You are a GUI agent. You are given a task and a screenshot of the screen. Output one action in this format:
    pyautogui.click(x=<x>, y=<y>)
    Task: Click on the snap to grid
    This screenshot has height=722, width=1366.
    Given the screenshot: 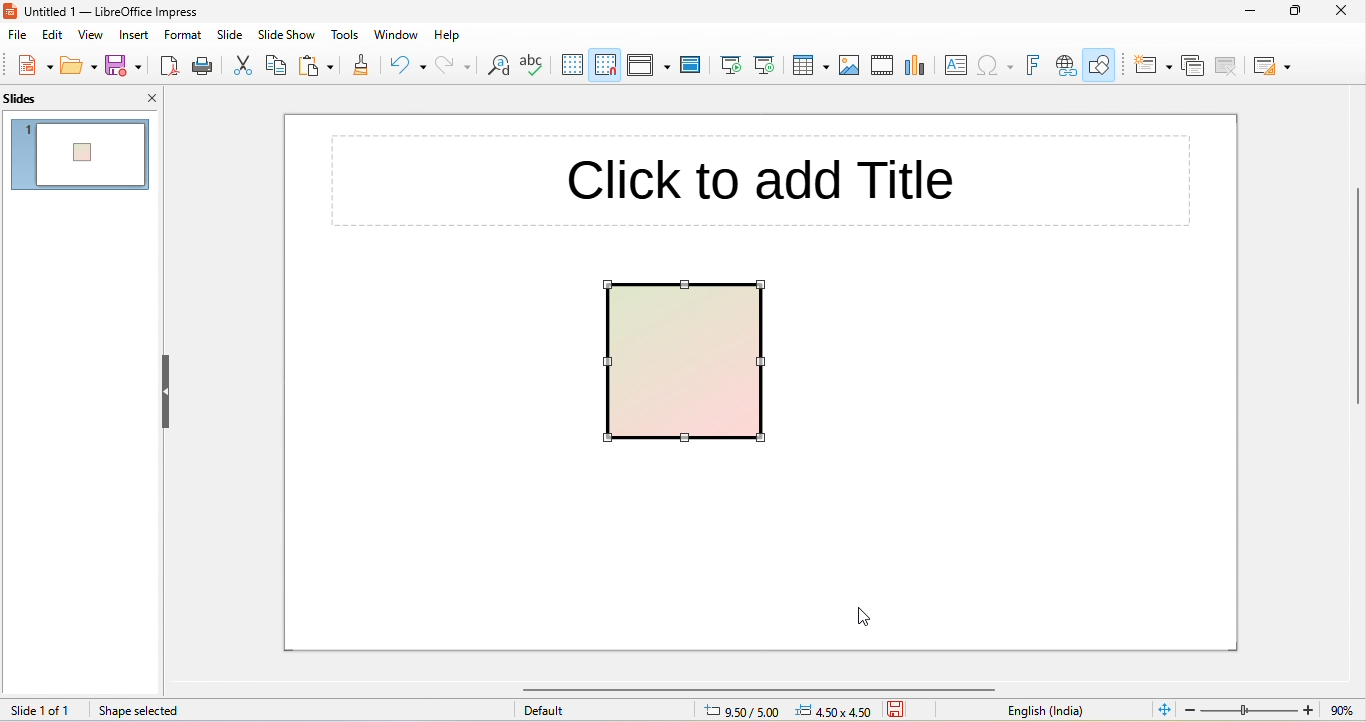 What is the action you would take?
    pyautogui.click(x=604, y=65)
    